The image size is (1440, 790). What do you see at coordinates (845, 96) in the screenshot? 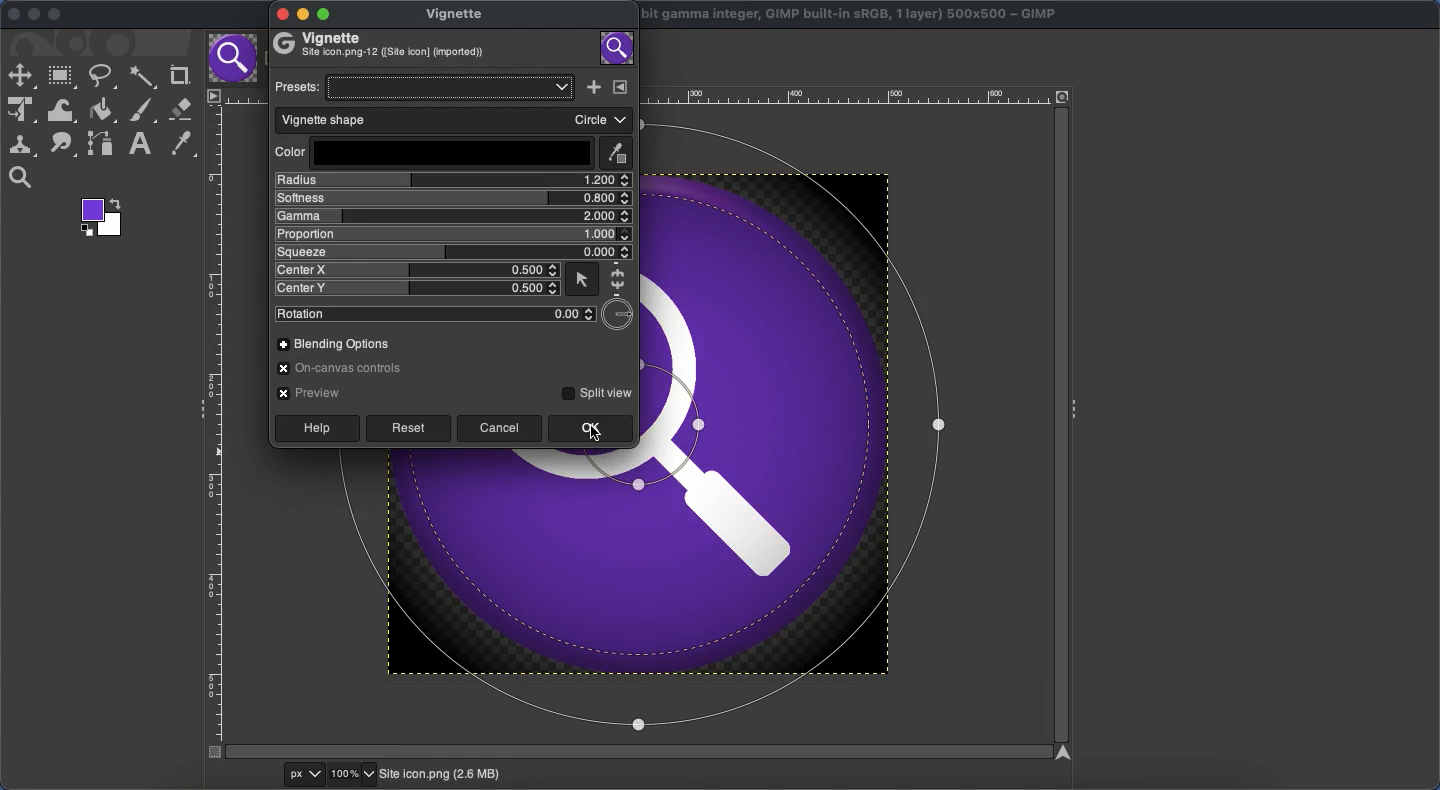
I see `Ruler` at bounding box center [845, 96].